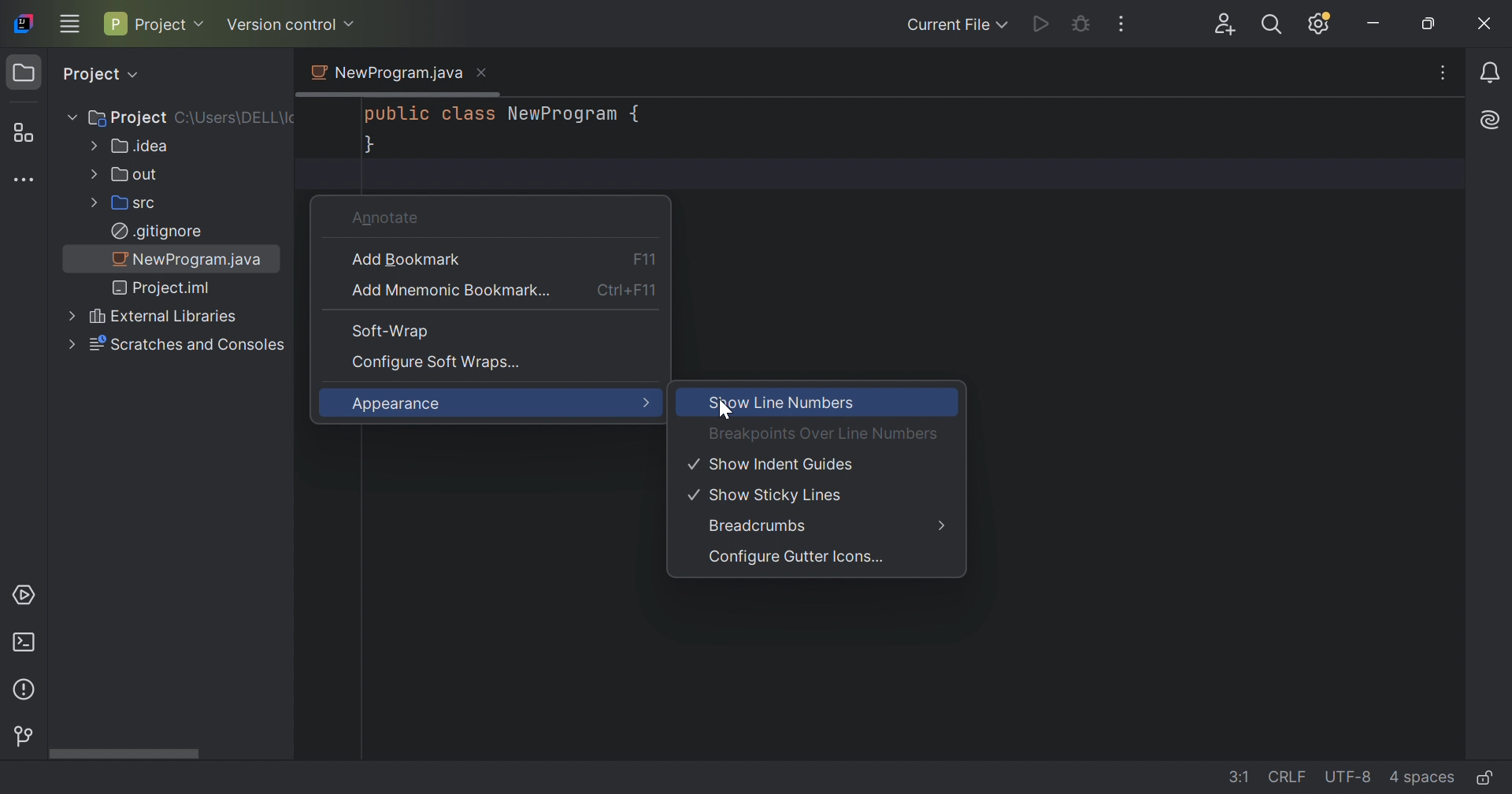 This screenshot has height=794, width=1512. What do you see at coordinates (1080, 23) in the screenshot?
I see `Debug NewProgram.java` at bounding box center [1080, 23].